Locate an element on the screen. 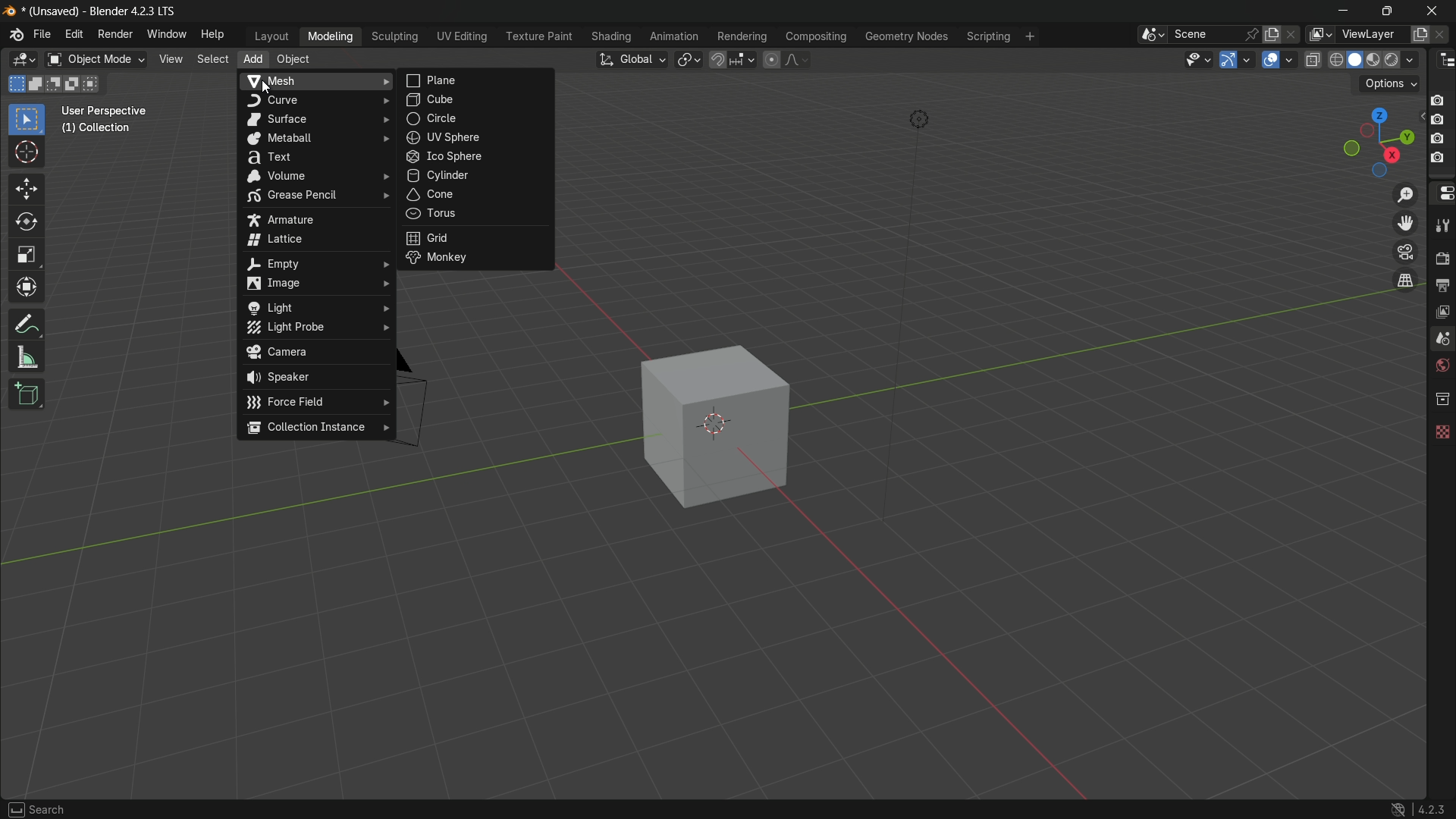 This screenshot has width=1456, height=819. solid display is located at coordinates (1355, 59).